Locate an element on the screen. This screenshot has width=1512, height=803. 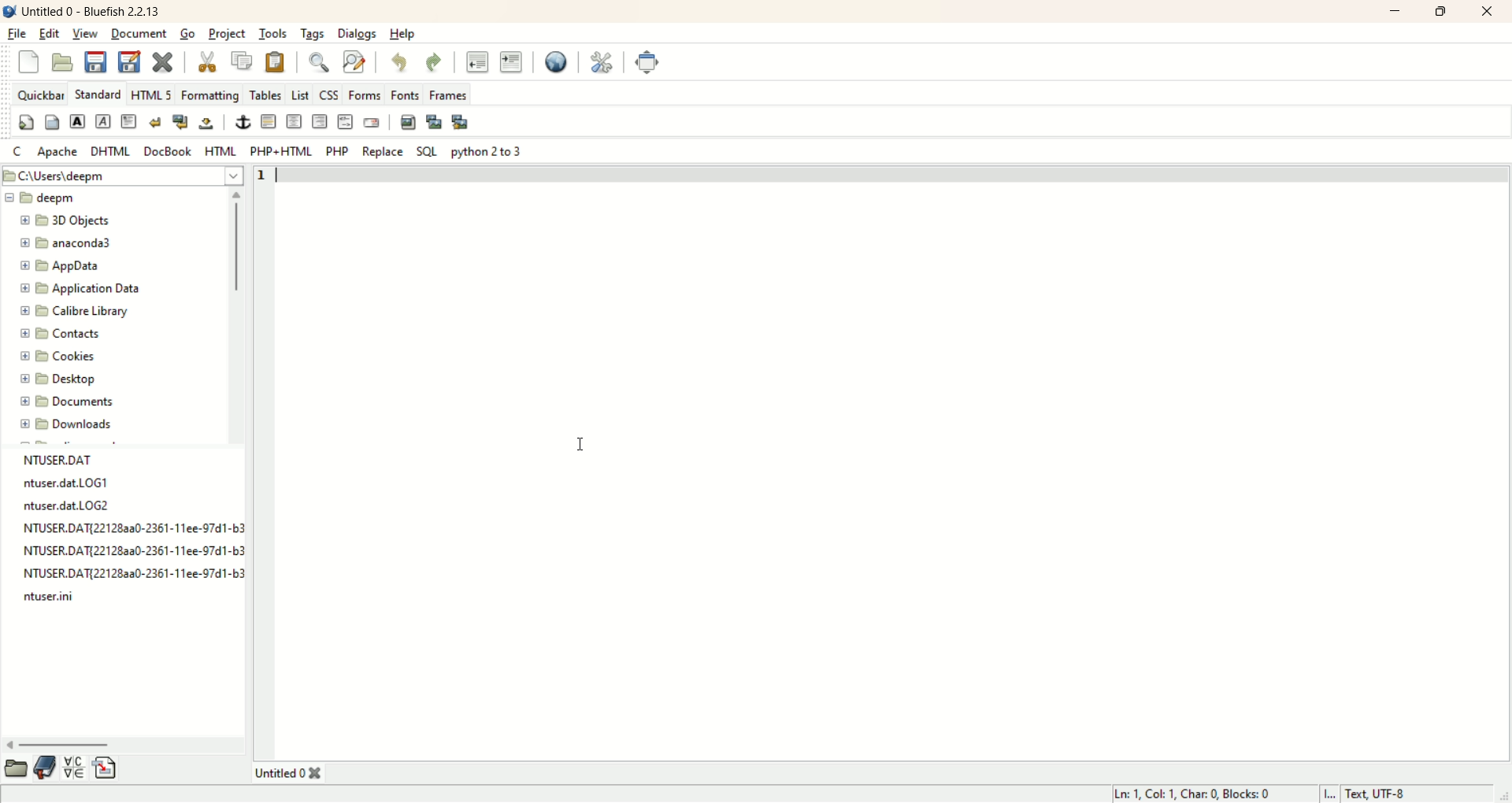
dialogs is located at coordinates (358, 33).